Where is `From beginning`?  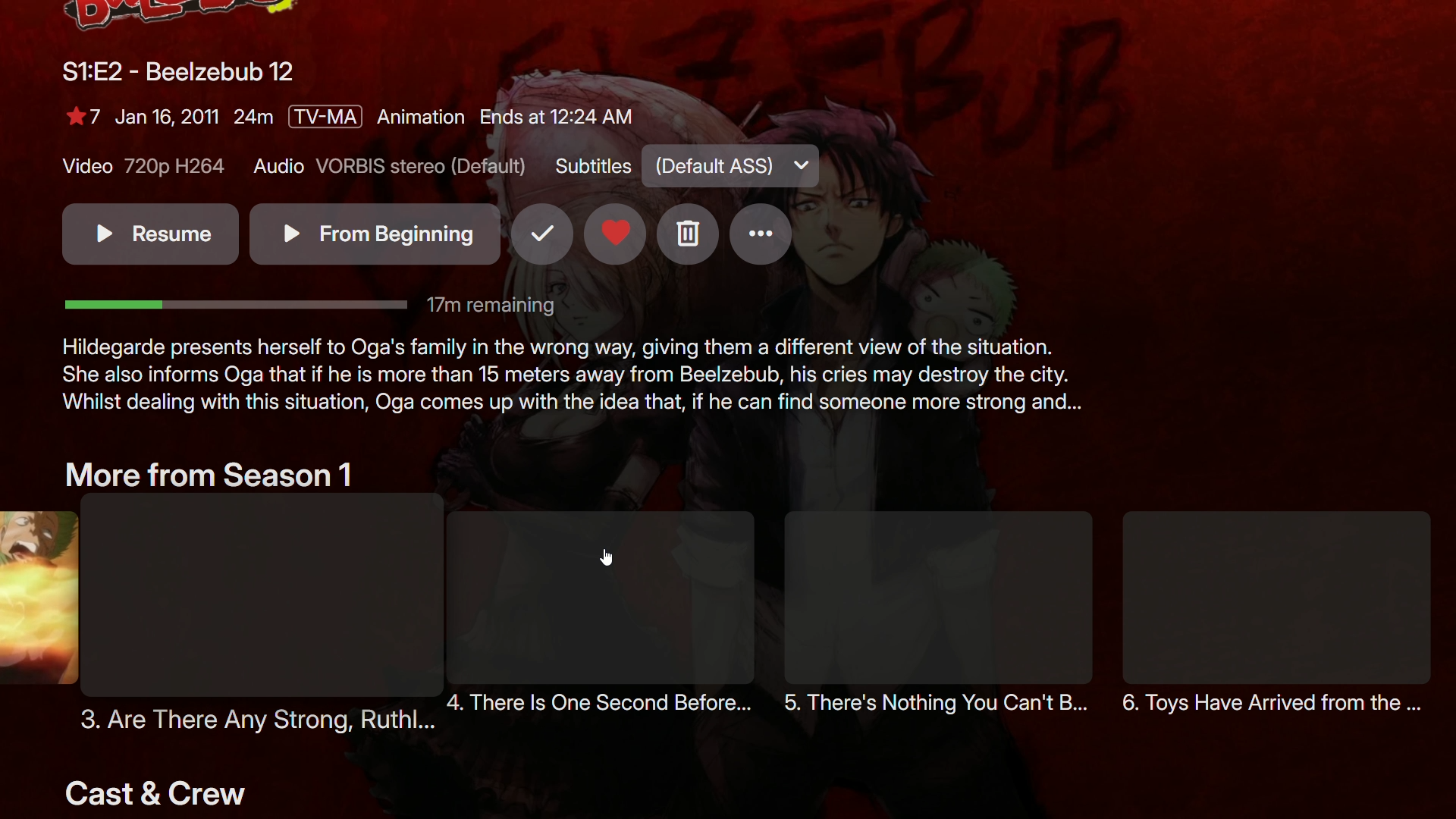
From beginning is located at coordinates (374, 235).